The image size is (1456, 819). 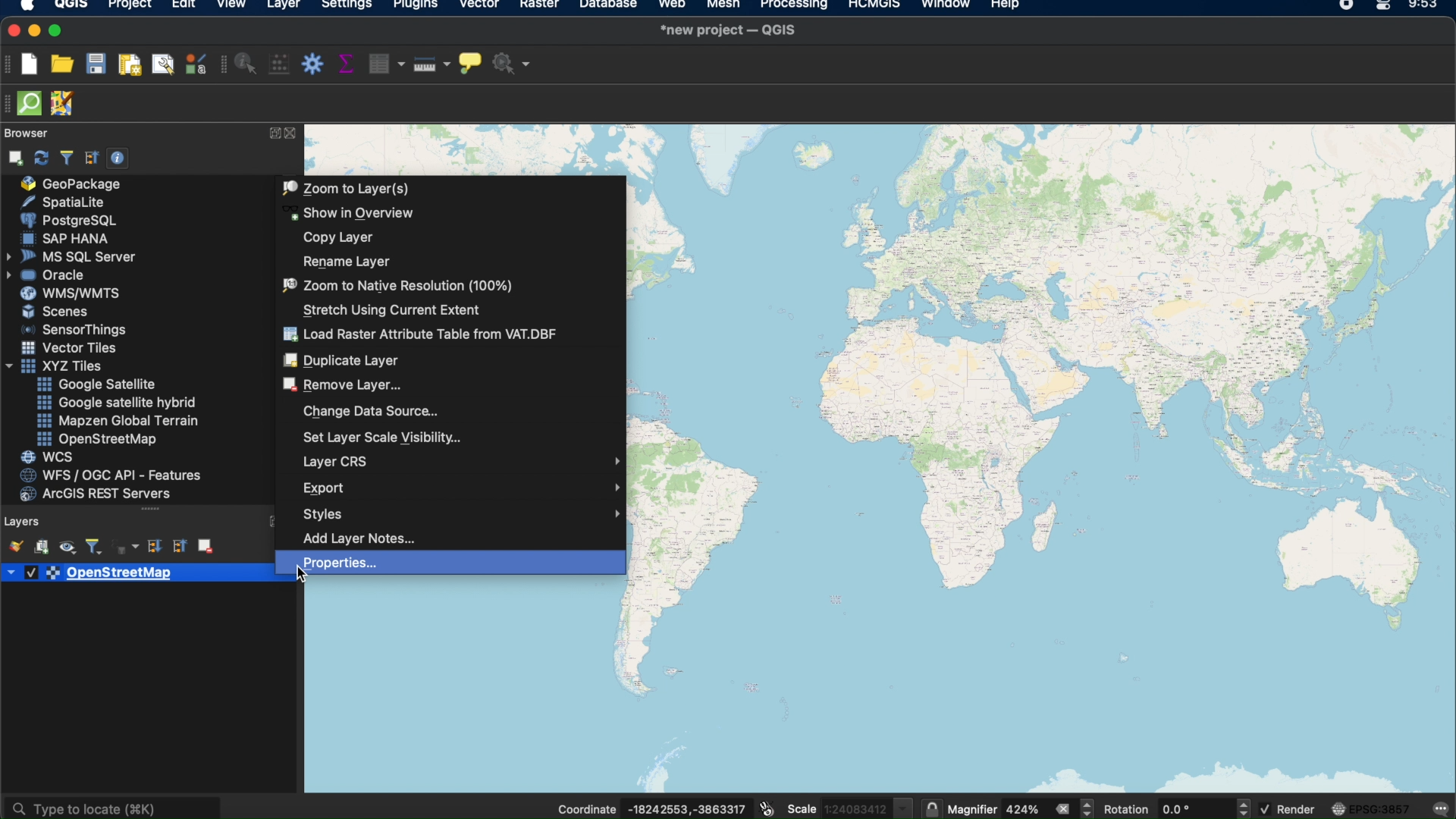 I want to click on new project QGIS, so click(x=727, y=30).